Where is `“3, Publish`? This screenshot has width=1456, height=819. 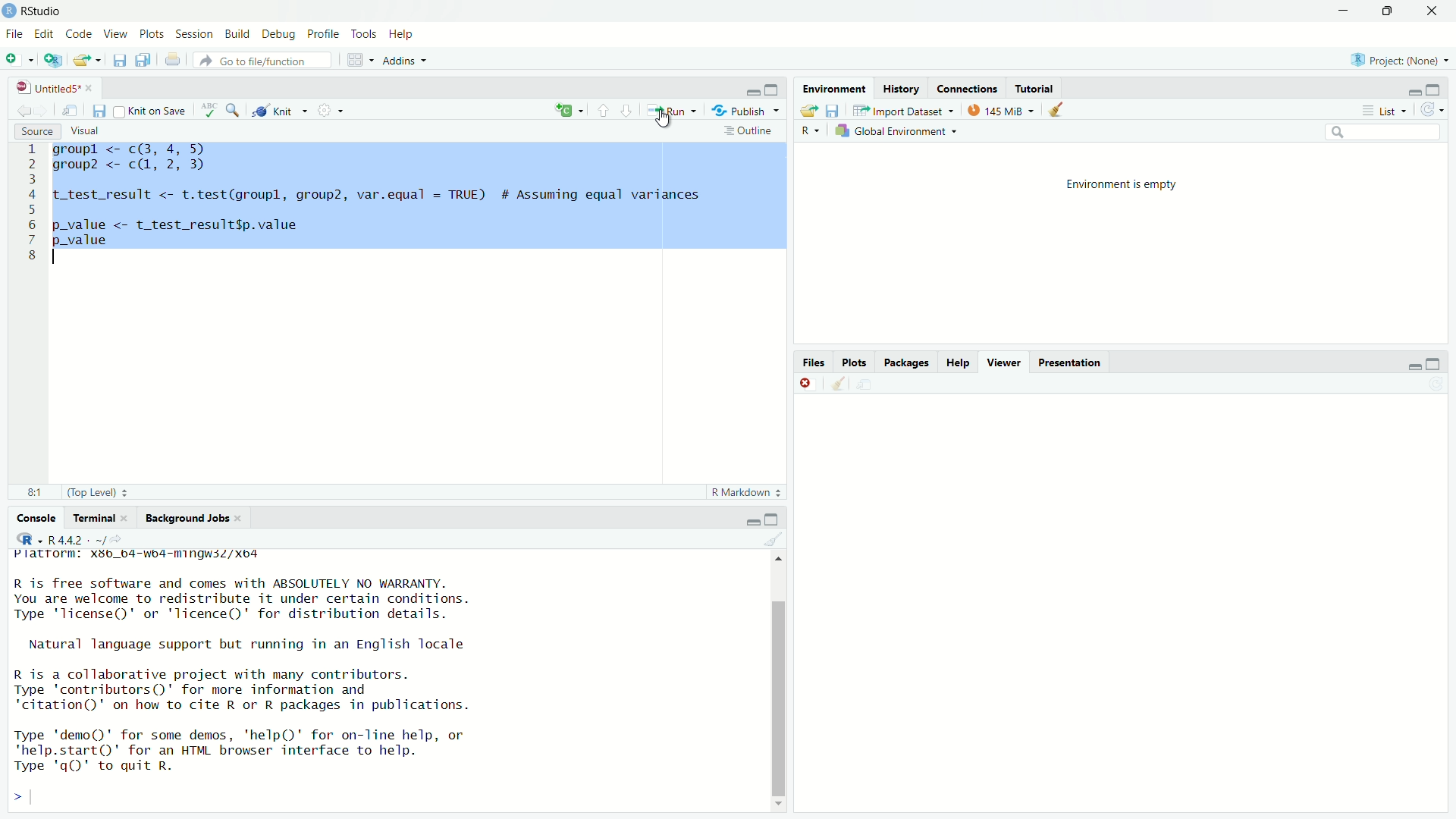
“3, Publish is located at coordinates (739, 108).